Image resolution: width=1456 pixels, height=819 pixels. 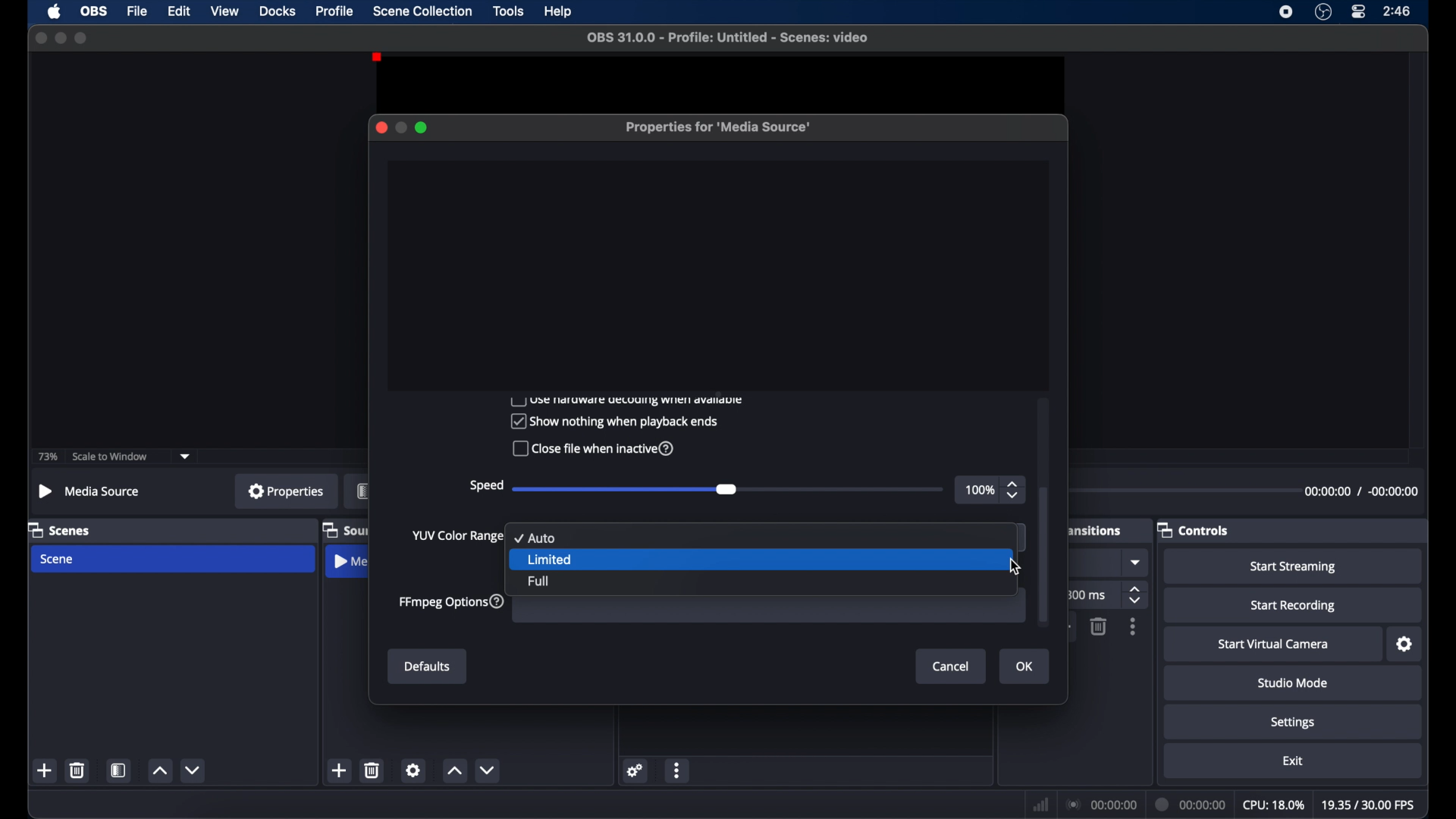 I want to click on minimize, so click(x=60, y=37).